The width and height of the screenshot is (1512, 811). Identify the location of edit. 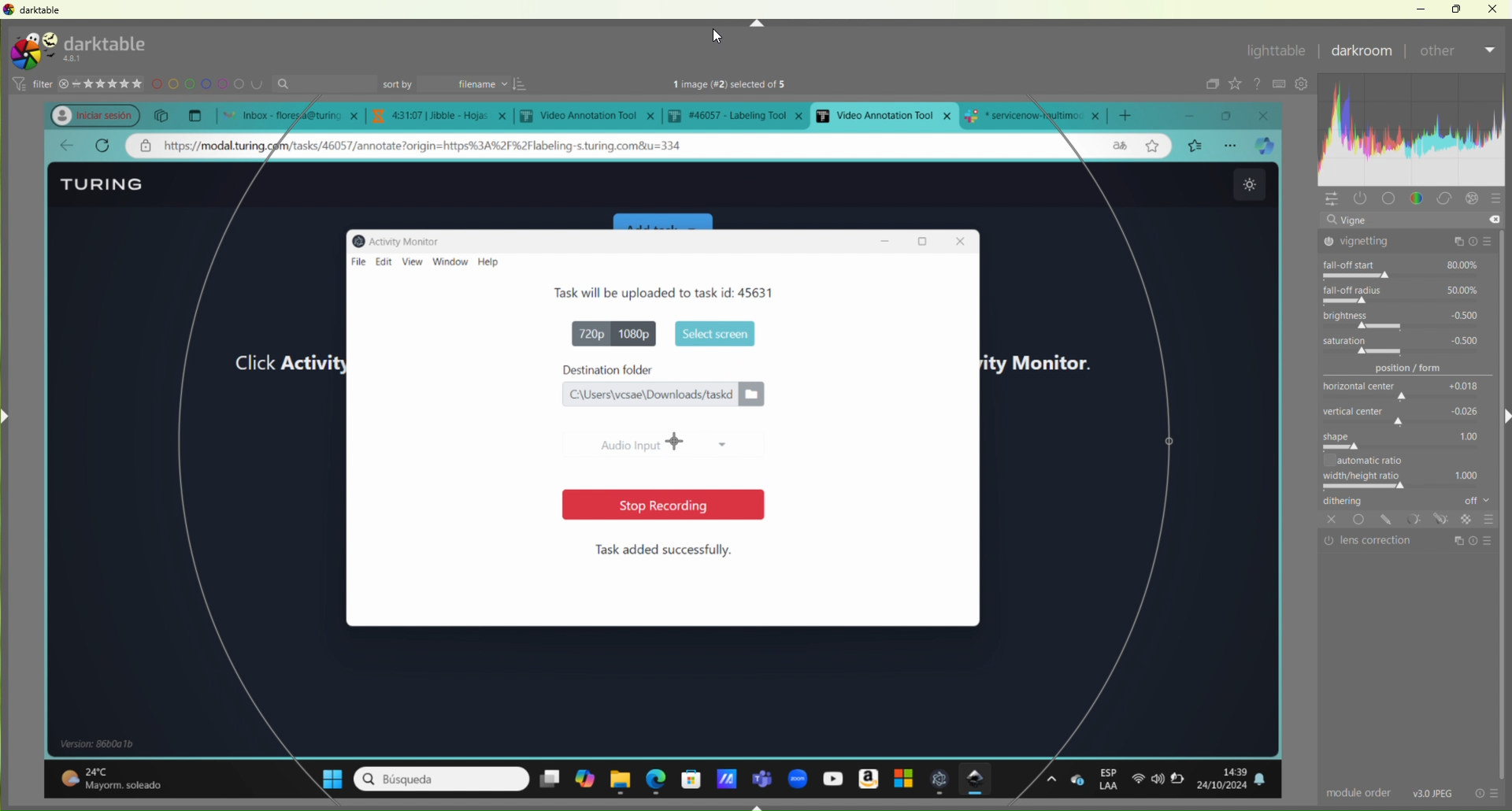
(384, 260).